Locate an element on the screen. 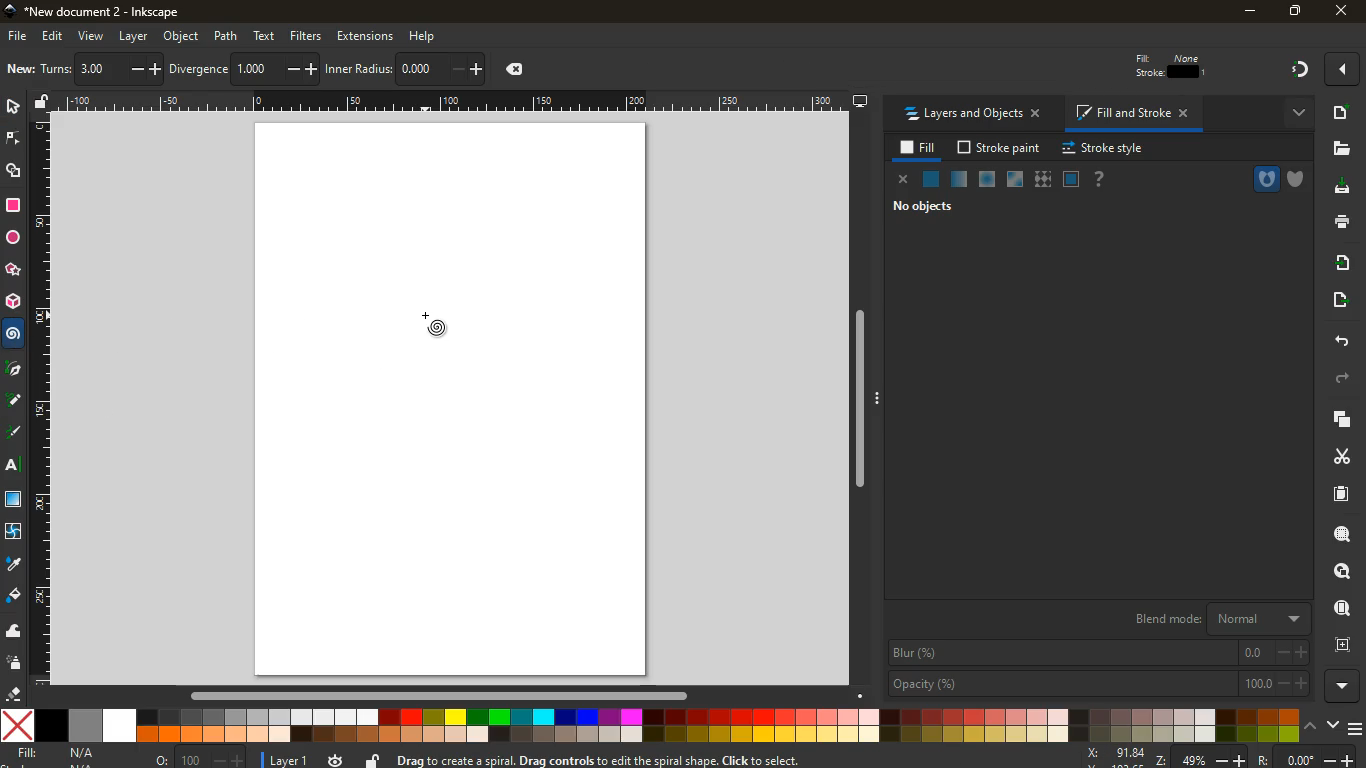 The image size is (1366, 768). spray is located at coordinates (13, 665).